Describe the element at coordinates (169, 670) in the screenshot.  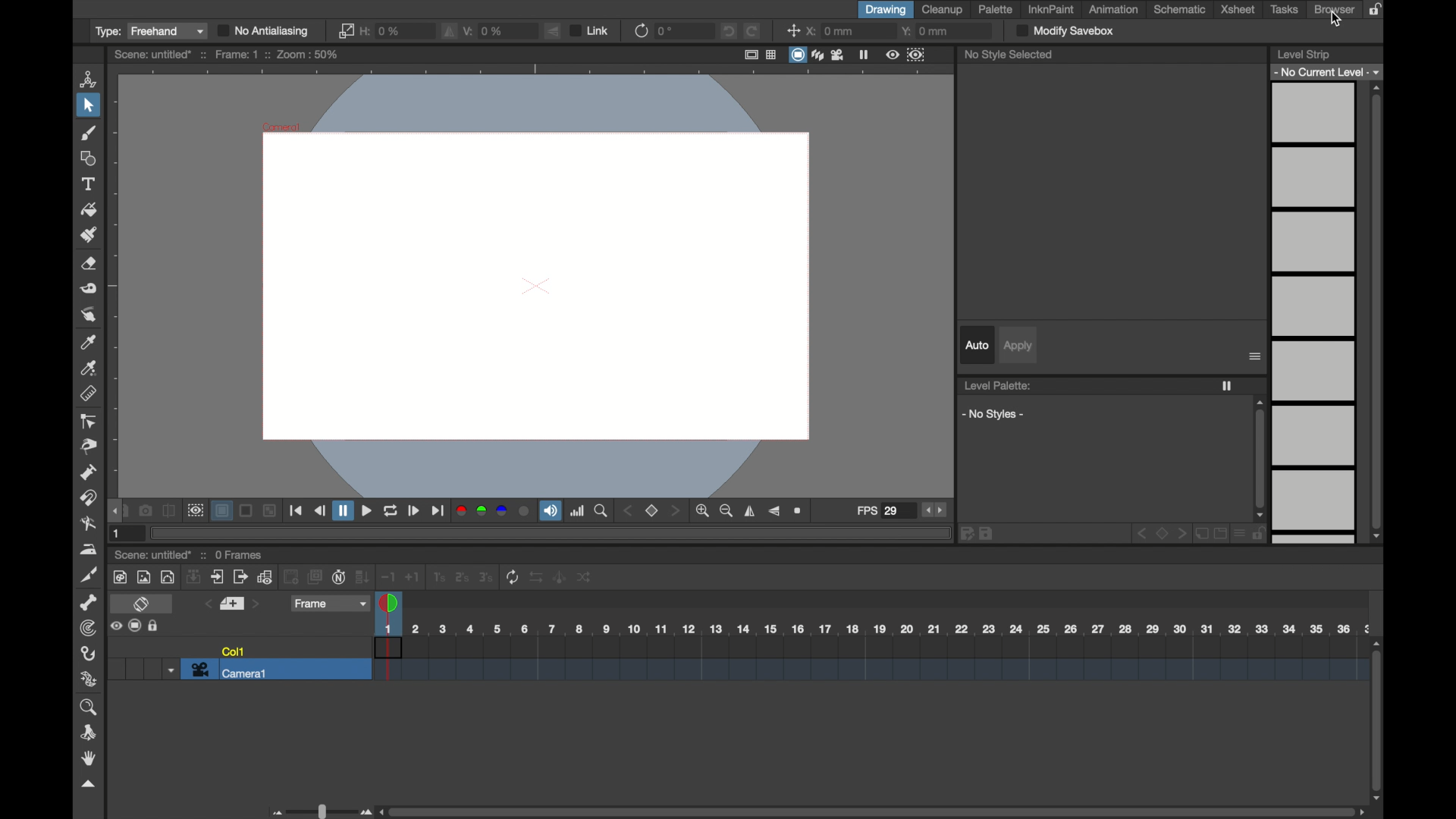
I see `dropdown` at that location.